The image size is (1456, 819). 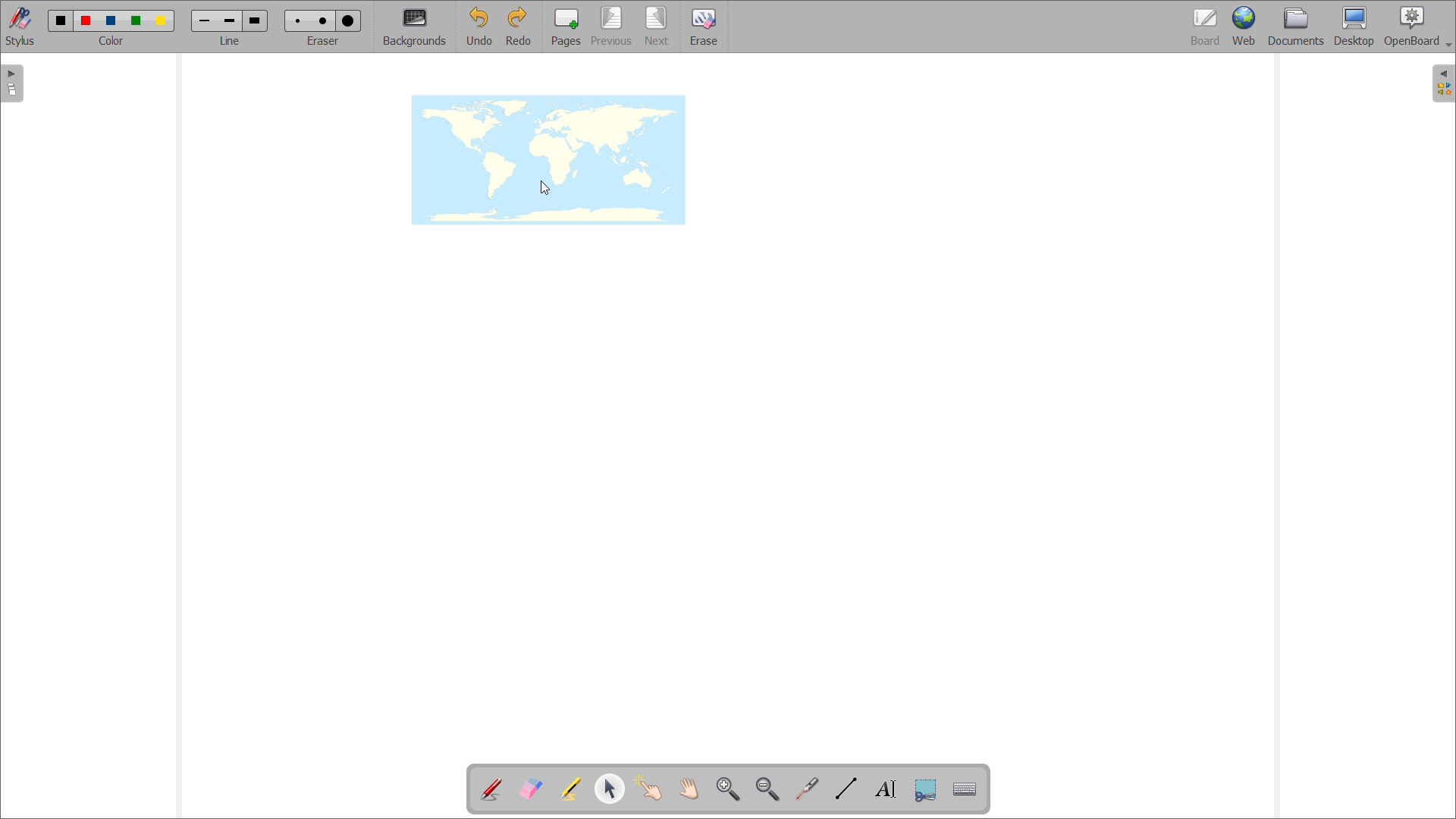 What do you see at coordinates (203, 22) in the screenshot?
I see `small` at bounding box center [203, 22].